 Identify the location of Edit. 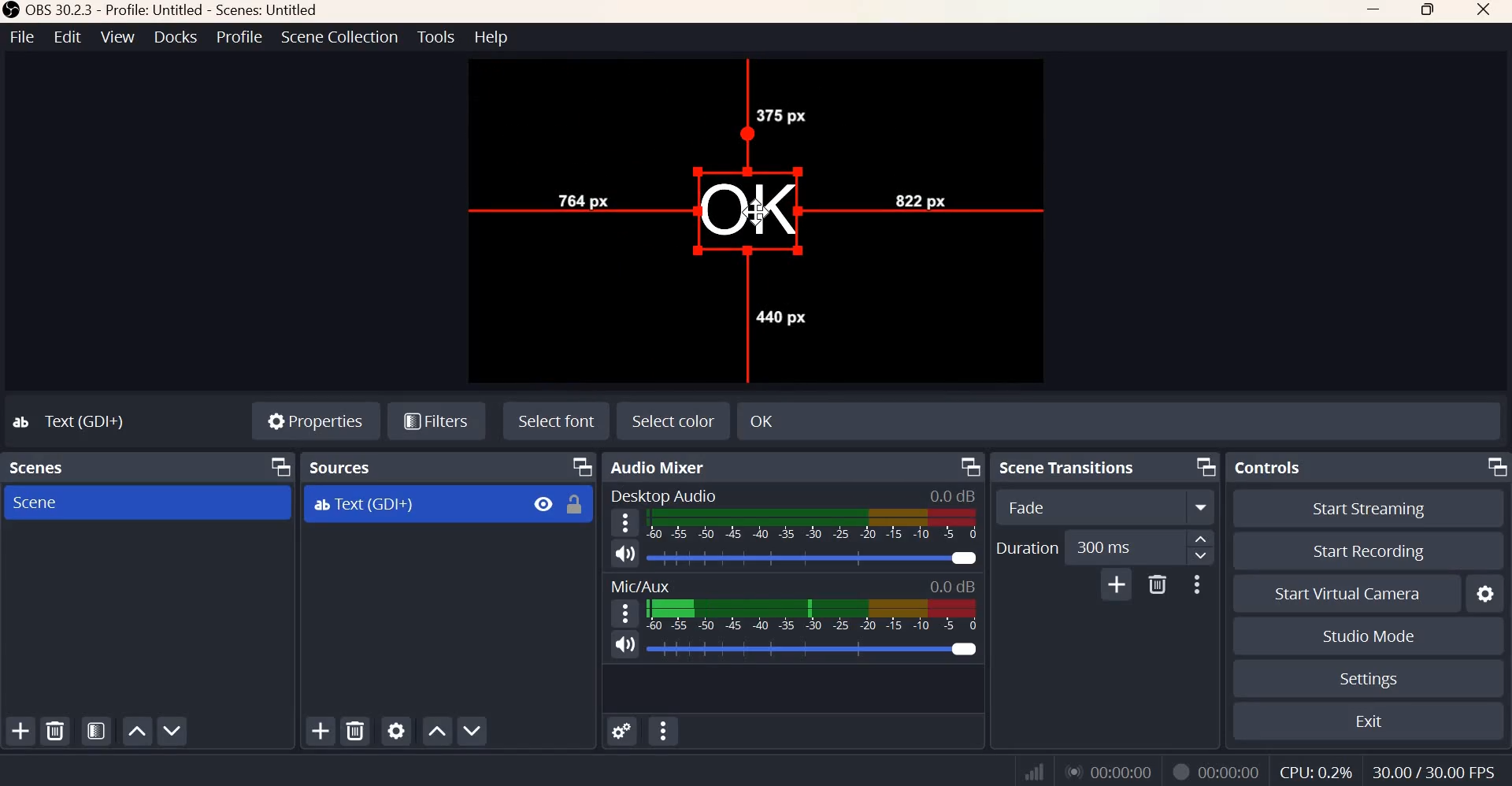
(68, 36).